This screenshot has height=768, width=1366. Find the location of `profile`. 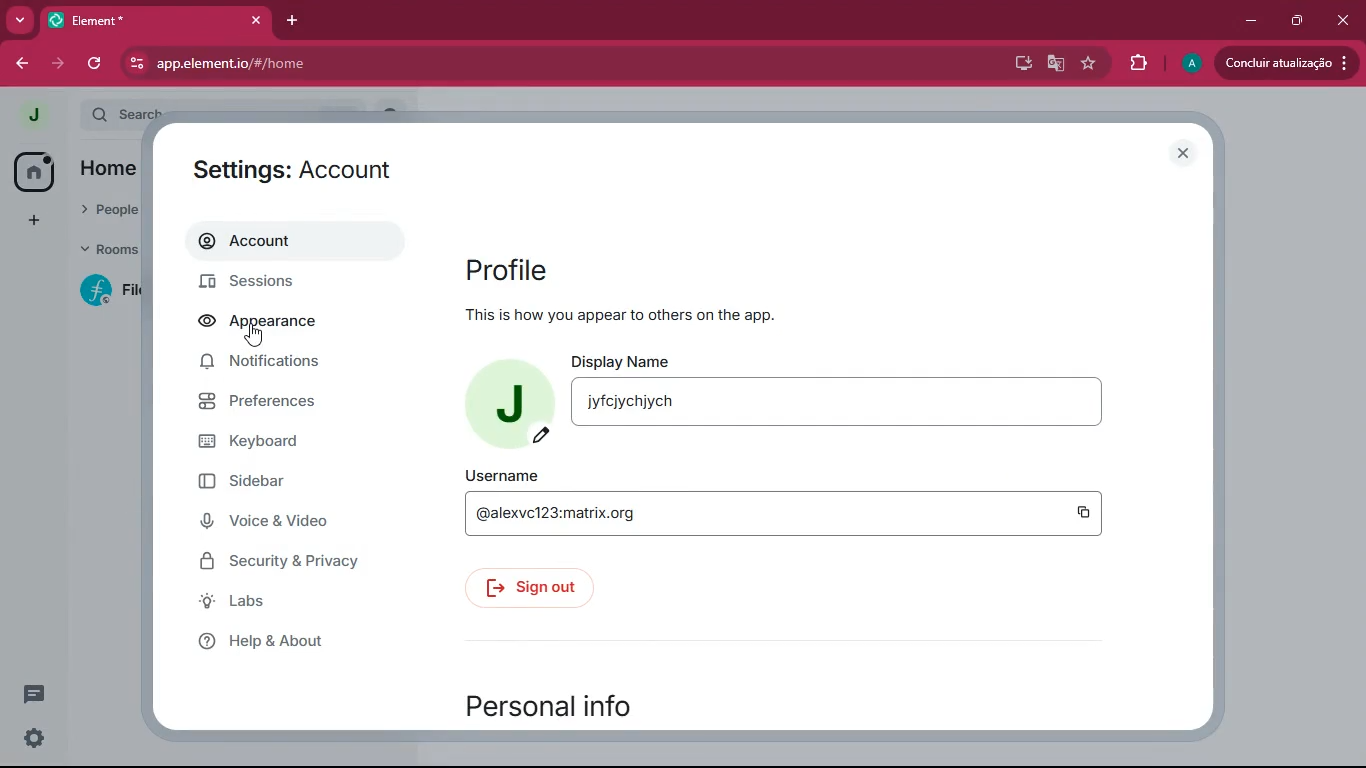

profile is located at coordinates (611, 267).